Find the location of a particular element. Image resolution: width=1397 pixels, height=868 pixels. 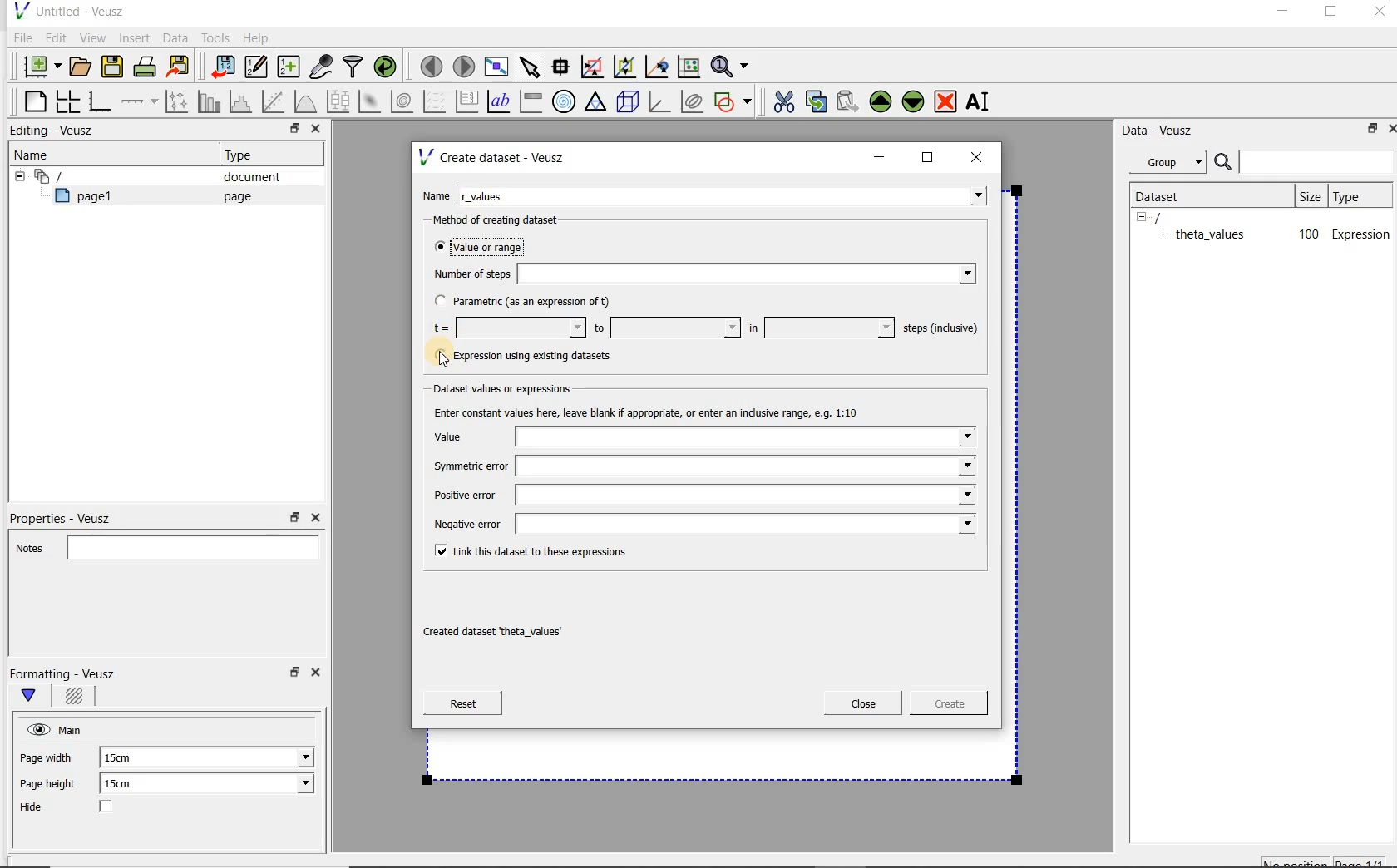

r_values is located at coordinates (723, 194).